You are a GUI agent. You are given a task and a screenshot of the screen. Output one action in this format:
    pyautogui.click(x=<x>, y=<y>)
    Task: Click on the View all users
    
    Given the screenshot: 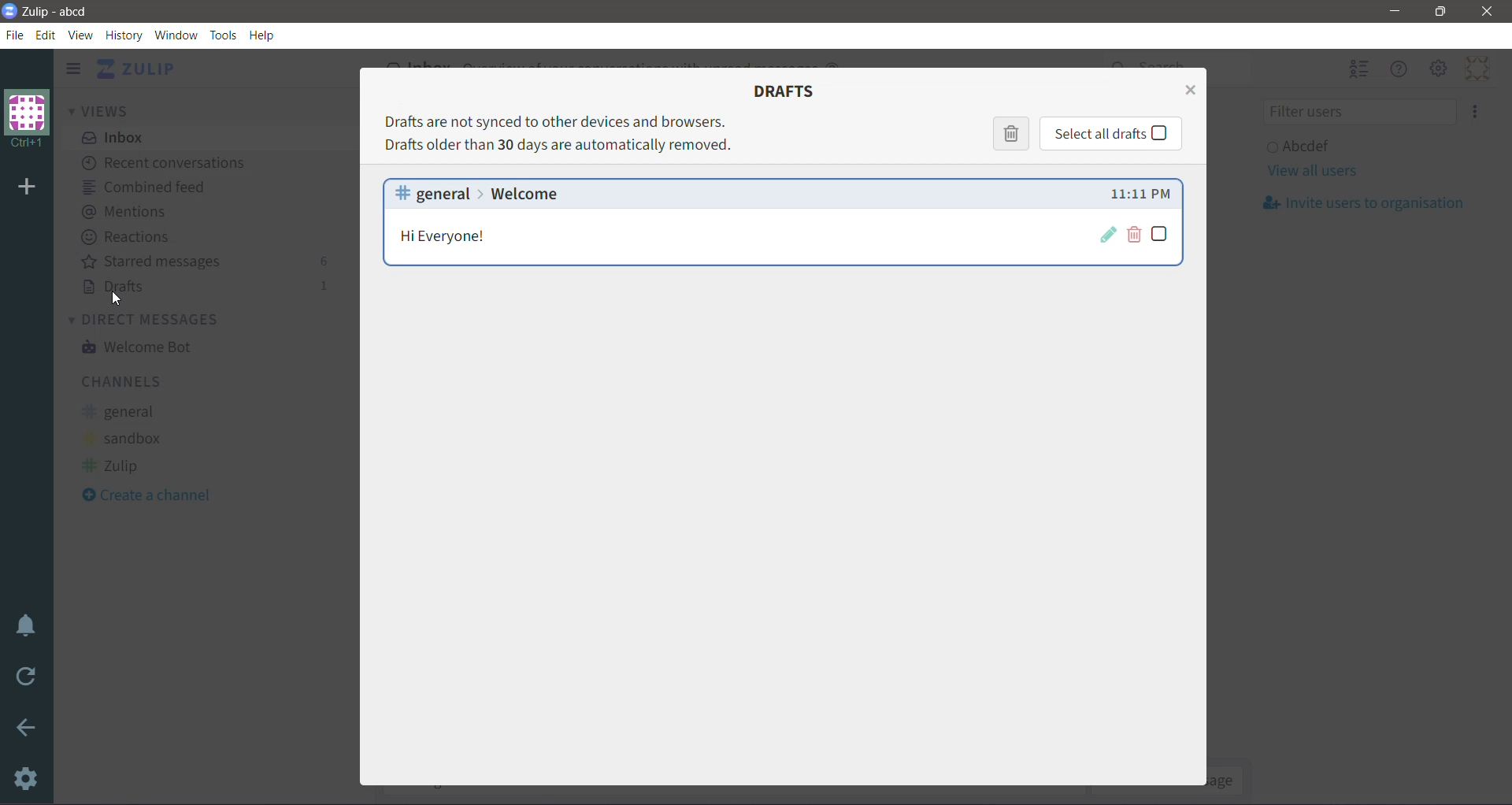 What is the action you would take?
    pyautogui.click(x=1310, y=171)
    